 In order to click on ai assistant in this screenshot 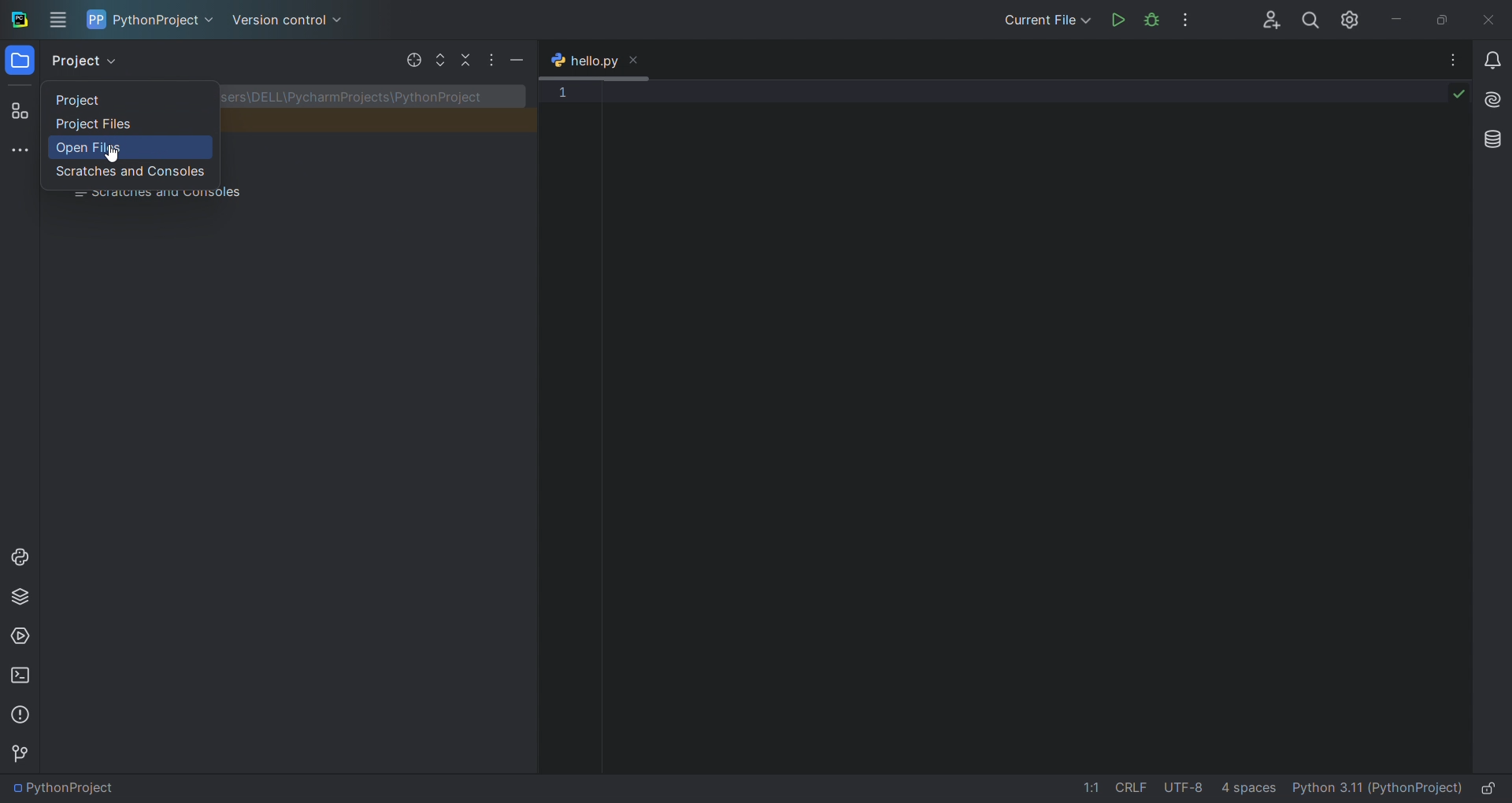, I will do `click(1492, 98)`.